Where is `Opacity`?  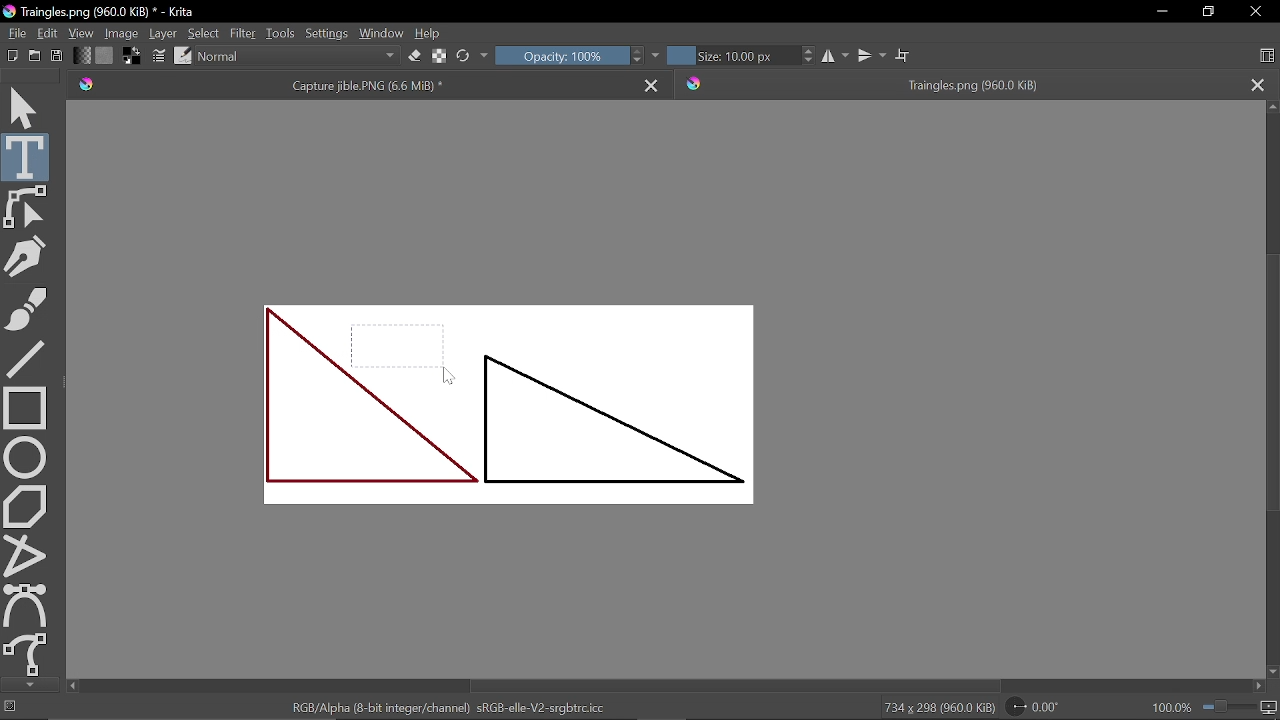 Opacity is located at coordinates (561, 55).